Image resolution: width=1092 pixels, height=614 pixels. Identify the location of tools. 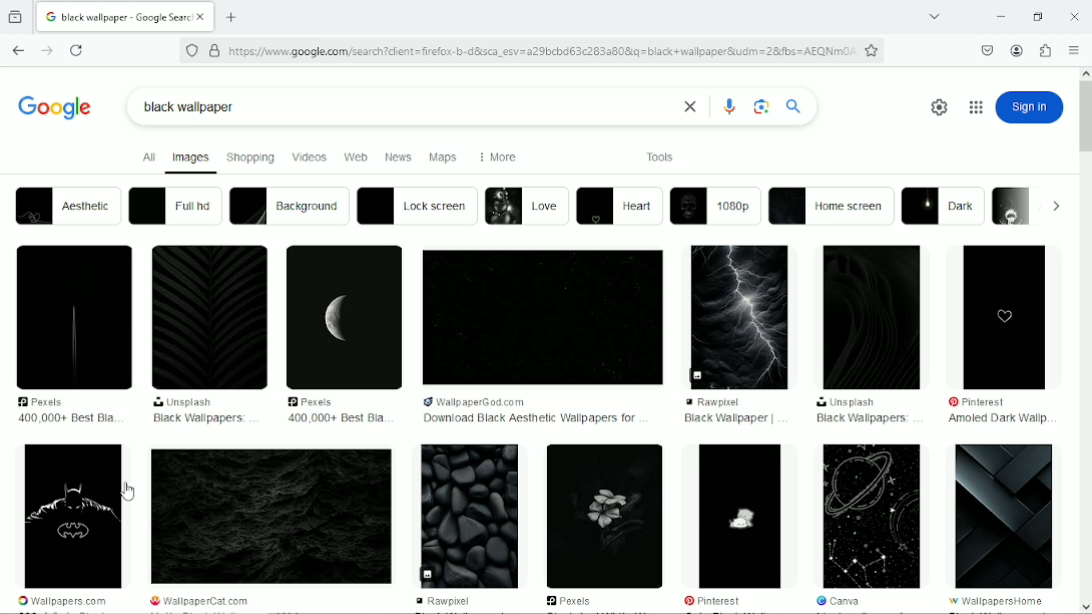
(661, 156).